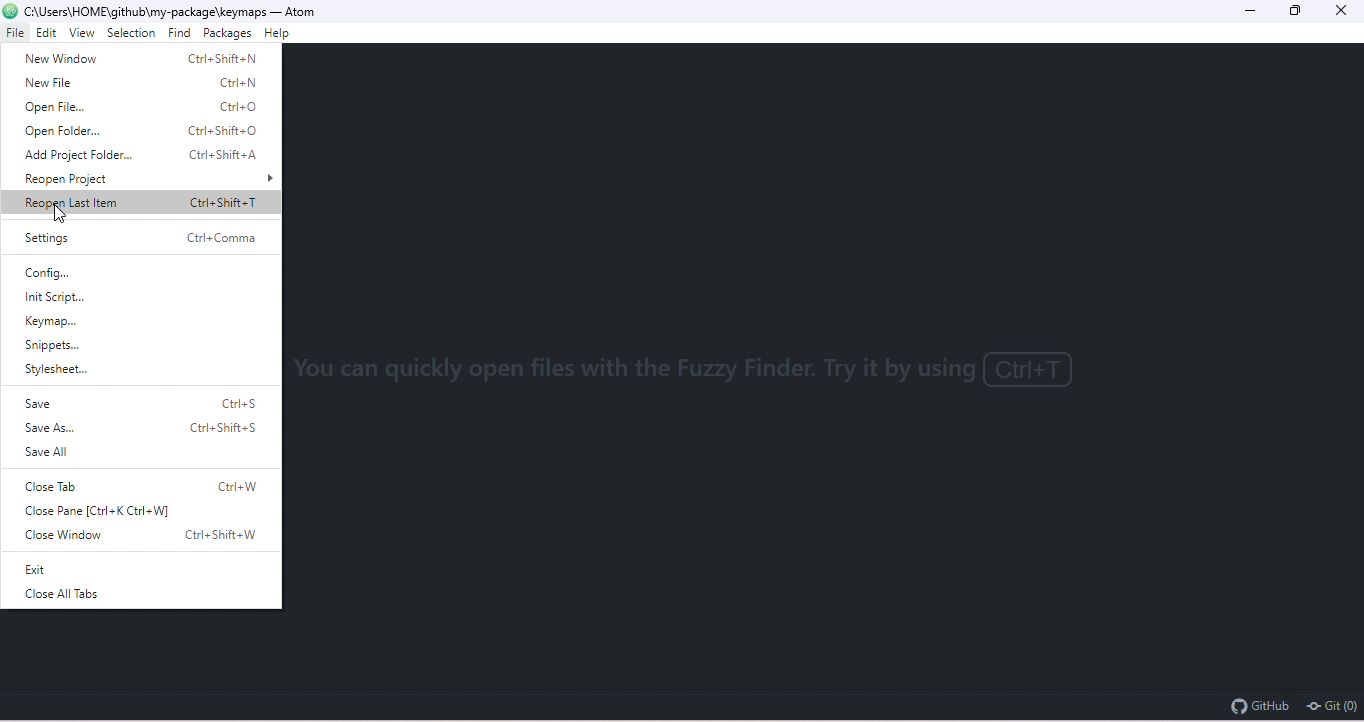  I want to click on c\Users\HOME\github\my-package\keymaps, so click(145, 11).